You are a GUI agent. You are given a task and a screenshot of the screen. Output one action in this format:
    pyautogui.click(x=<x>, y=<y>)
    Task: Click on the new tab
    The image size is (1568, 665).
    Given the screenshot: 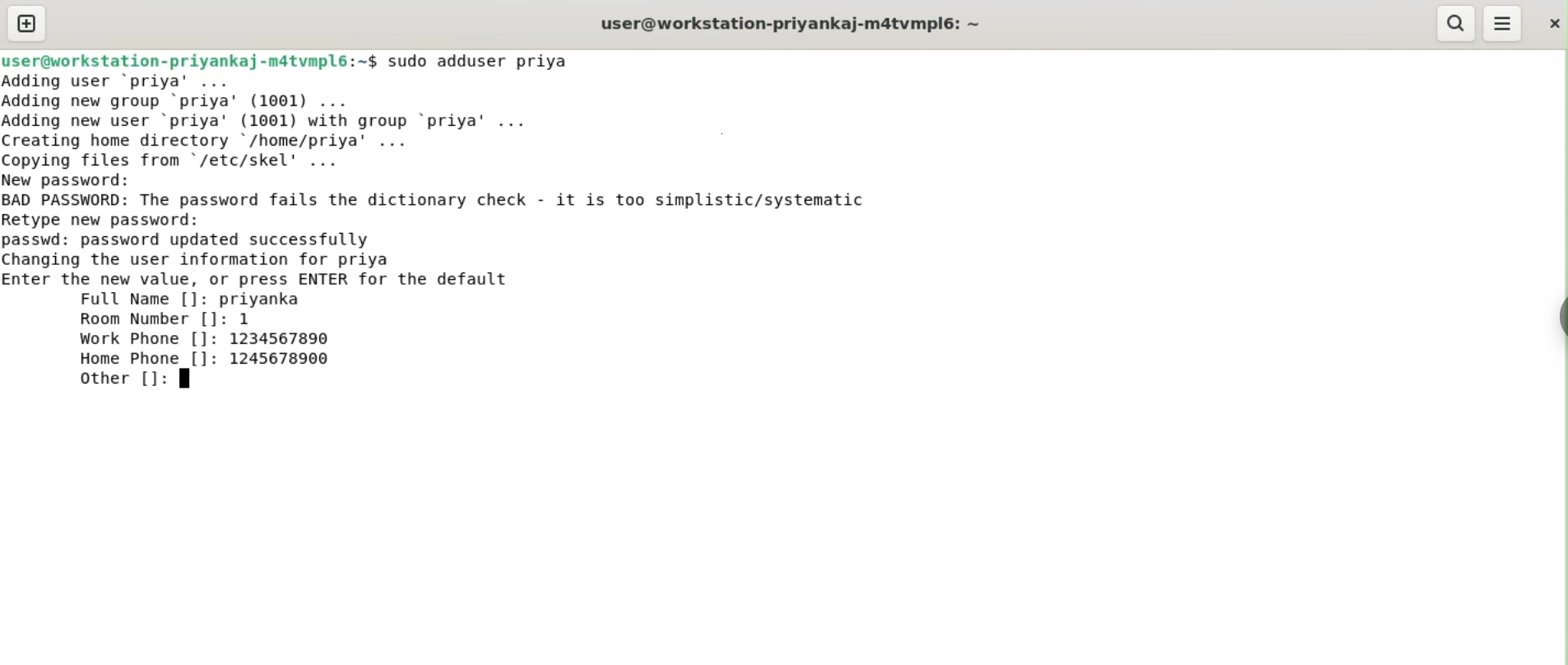 What is the action you would take?
    pyautogui.click(x=27, y=23)
    